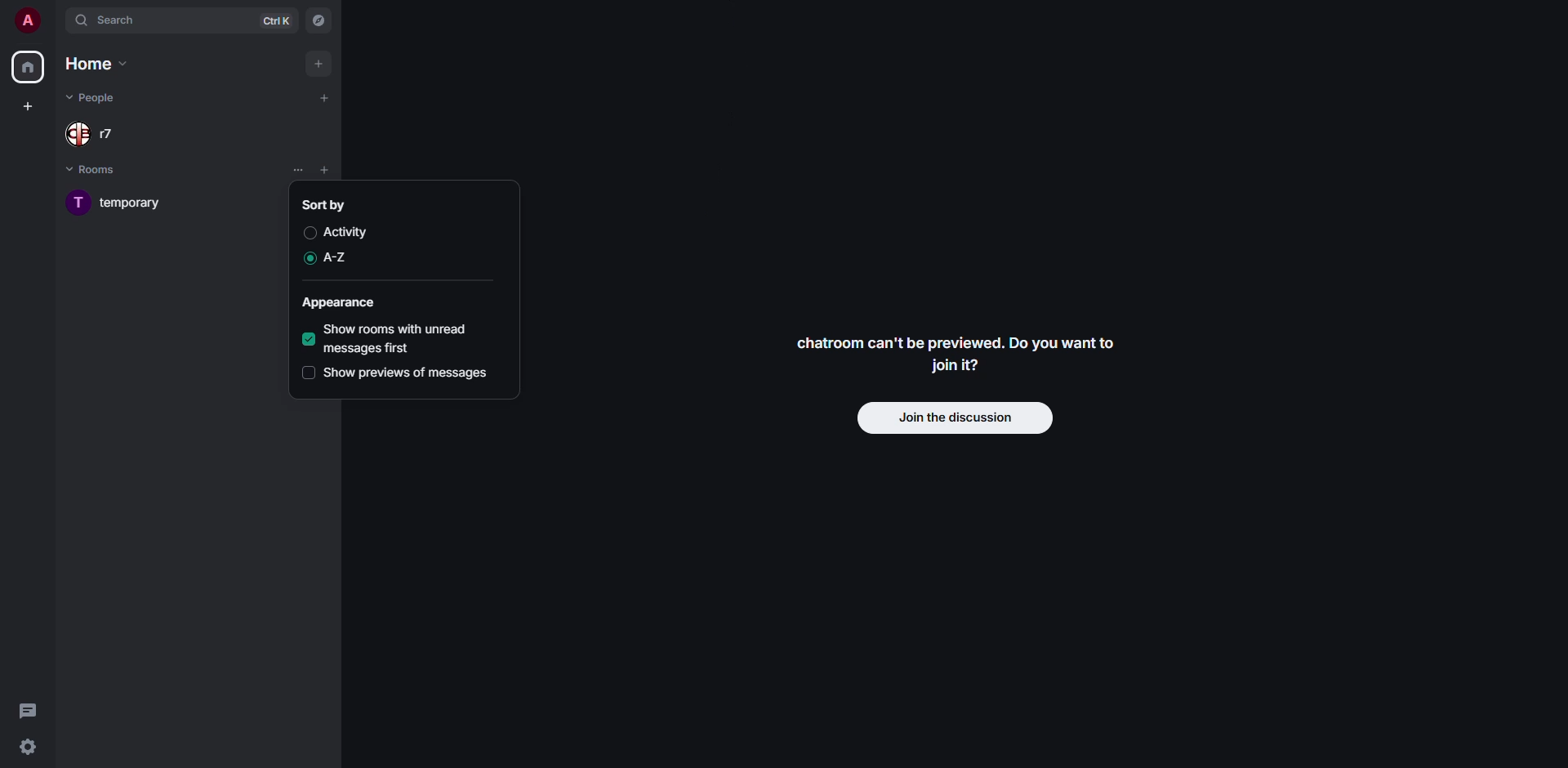  Describe the element at coordinates (961, 354) in the screenshot. I see `chatroom can't be previewed` at that location.